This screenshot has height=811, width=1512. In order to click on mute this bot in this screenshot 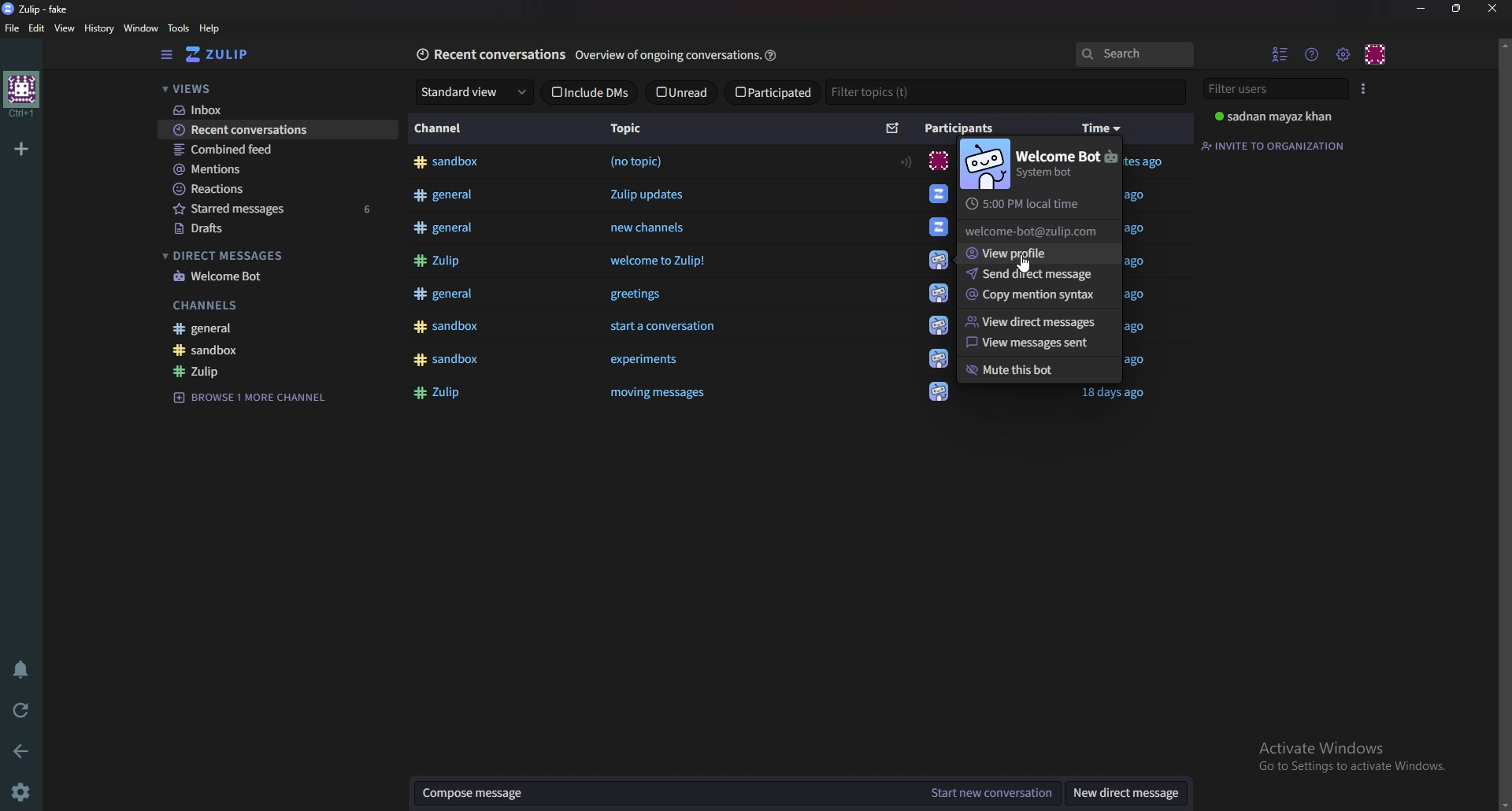, I will do `click(1035, 371)`.